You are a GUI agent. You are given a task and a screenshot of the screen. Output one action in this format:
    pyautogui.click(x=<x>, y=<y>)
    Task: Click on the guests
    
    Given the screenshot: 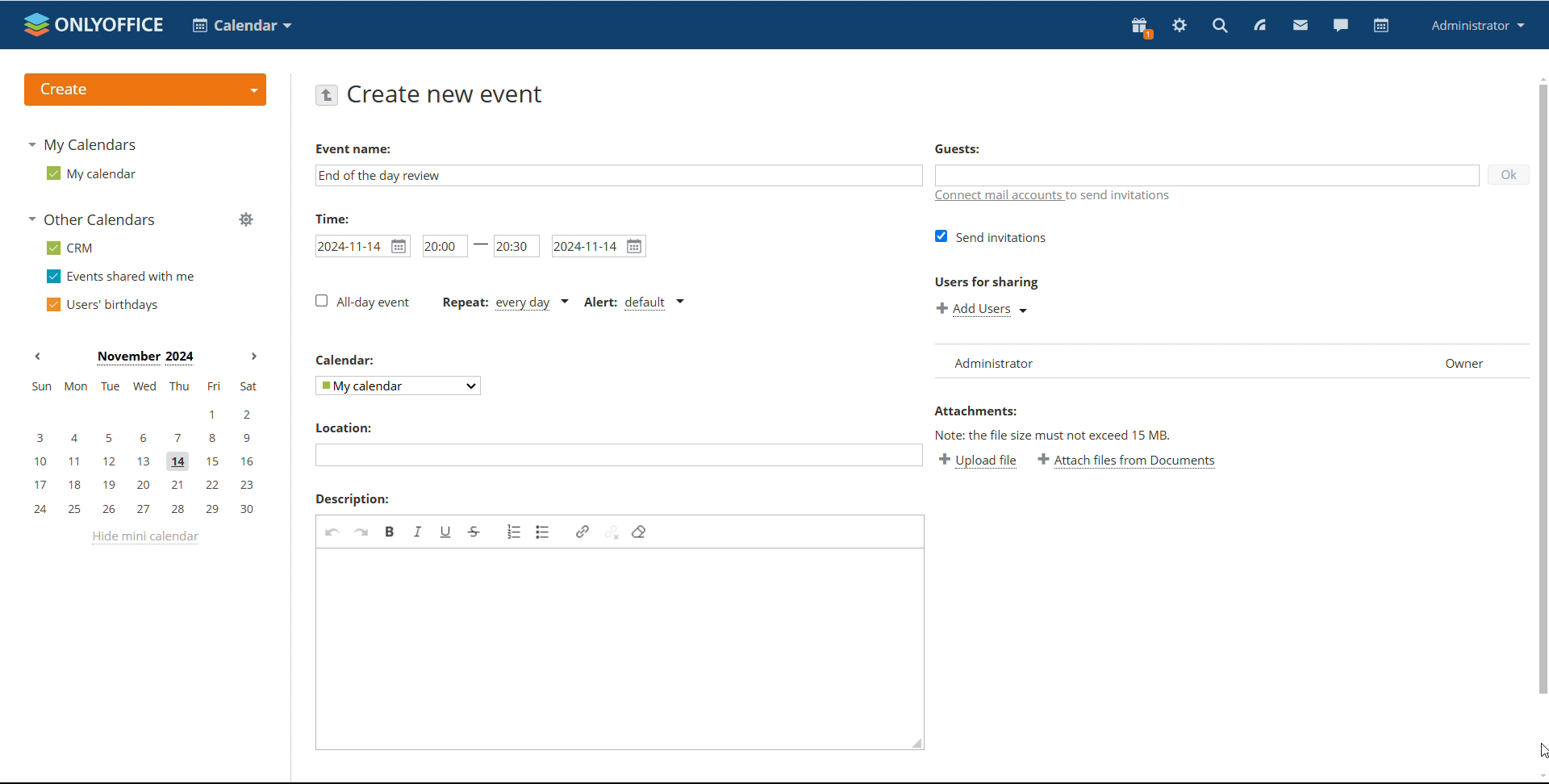 What is the action you would take?
    pyautogui.click(x=957, y=148)
    